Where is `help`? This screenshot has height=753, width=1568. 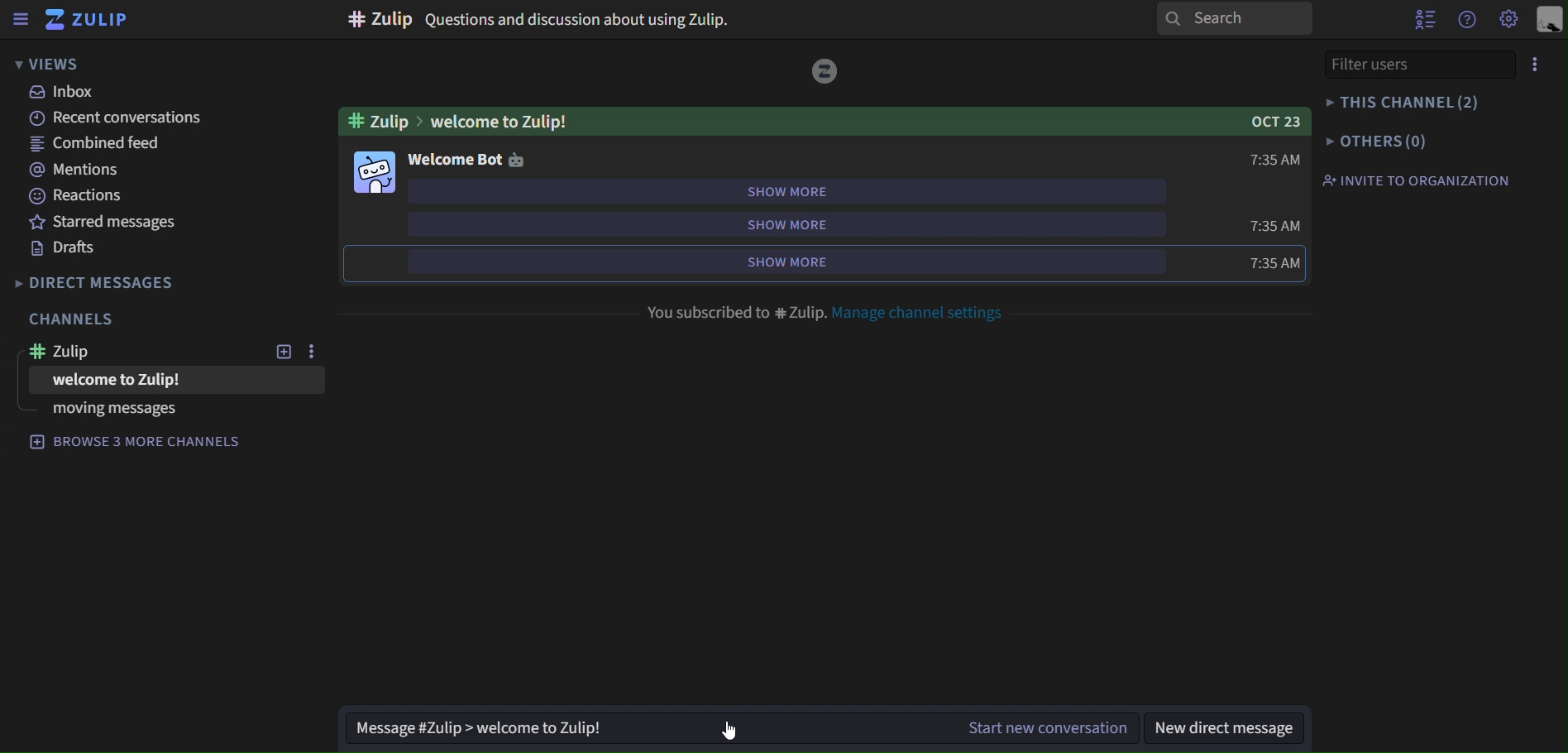
help is located at coordinates (1468, 22).